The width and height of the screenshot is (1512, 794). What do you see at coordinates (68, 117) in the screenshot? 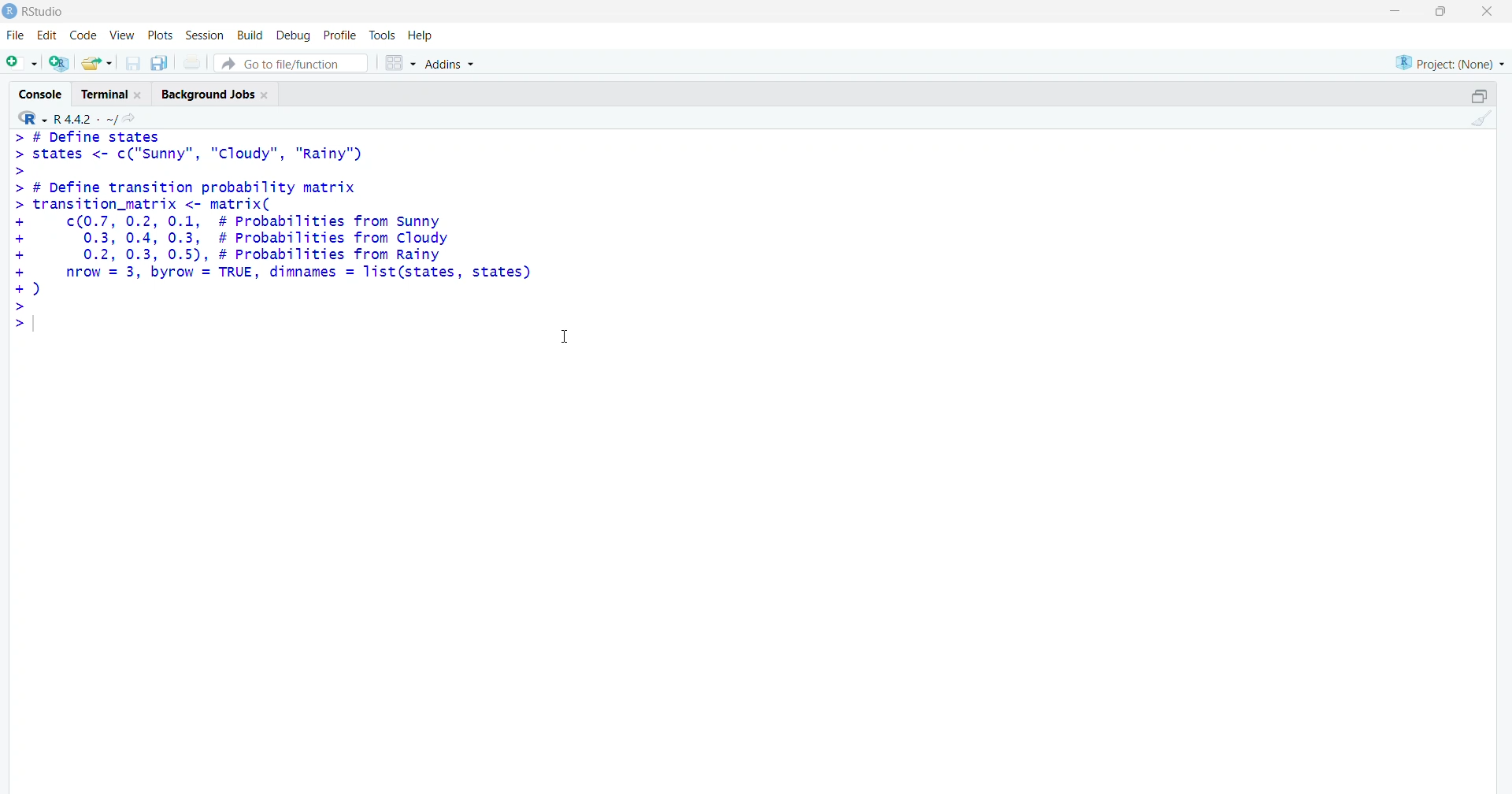
I see `R 4.4.2` at bounding box center [68, 117].